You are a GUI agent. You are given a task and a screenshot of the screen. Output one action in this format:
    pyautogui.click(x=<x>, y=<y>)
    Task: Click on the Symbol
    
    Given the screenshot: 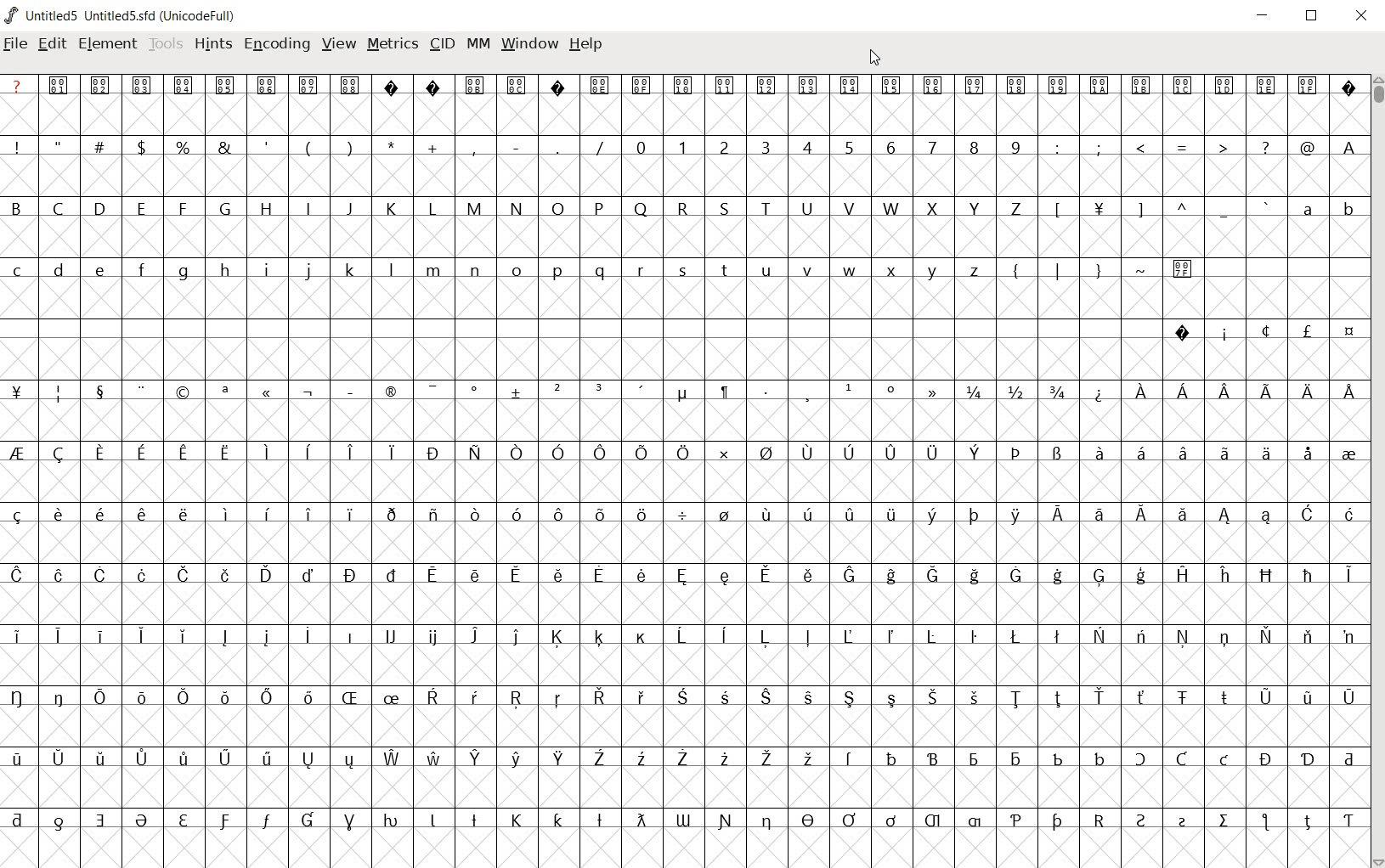 What is the action you would take?
    pyautogui.click(x=934, y=636)
    